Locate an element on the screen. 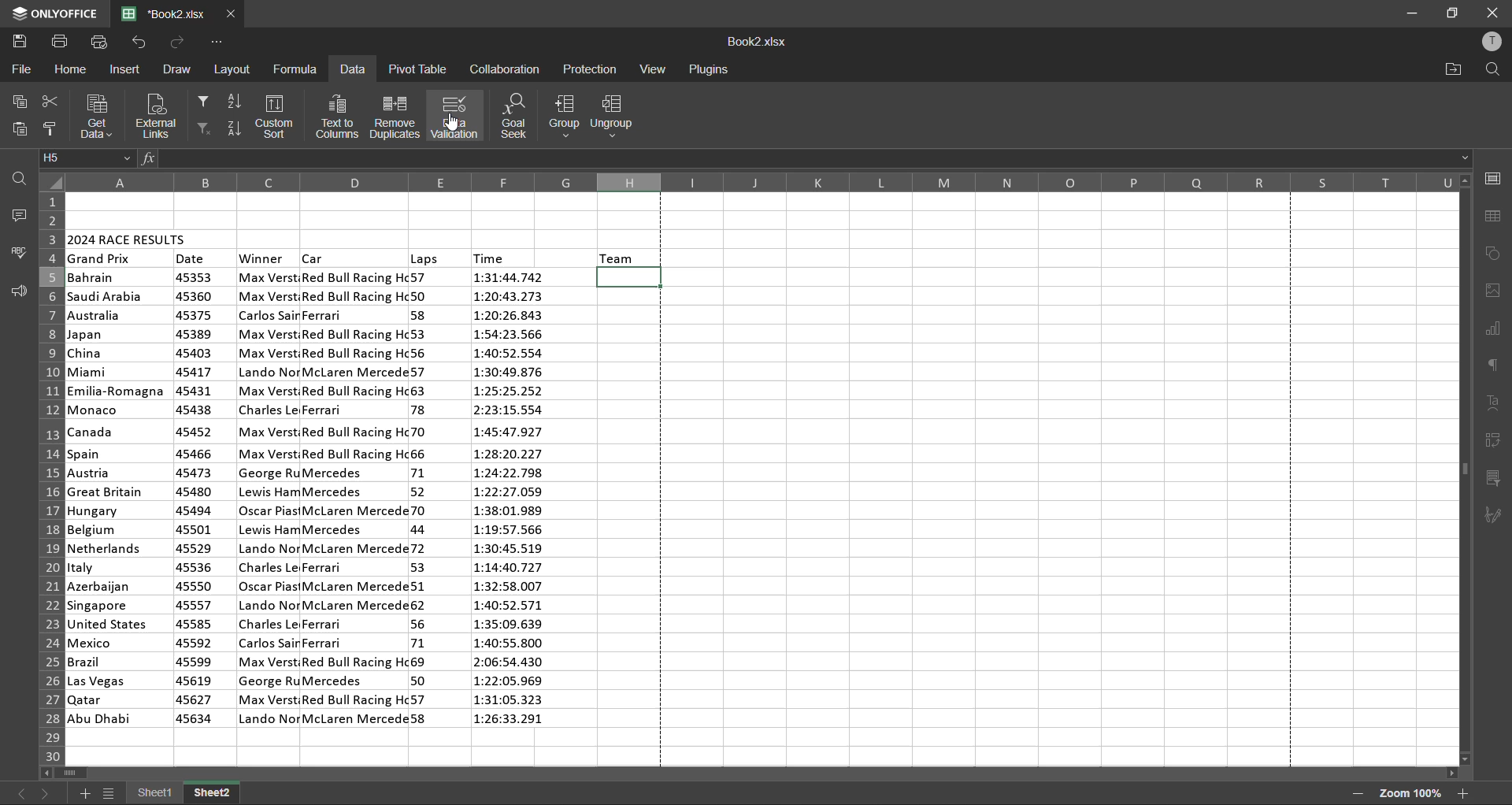 This screenshot has height=805, width=1512. app name is located at coordinates (54, 13).